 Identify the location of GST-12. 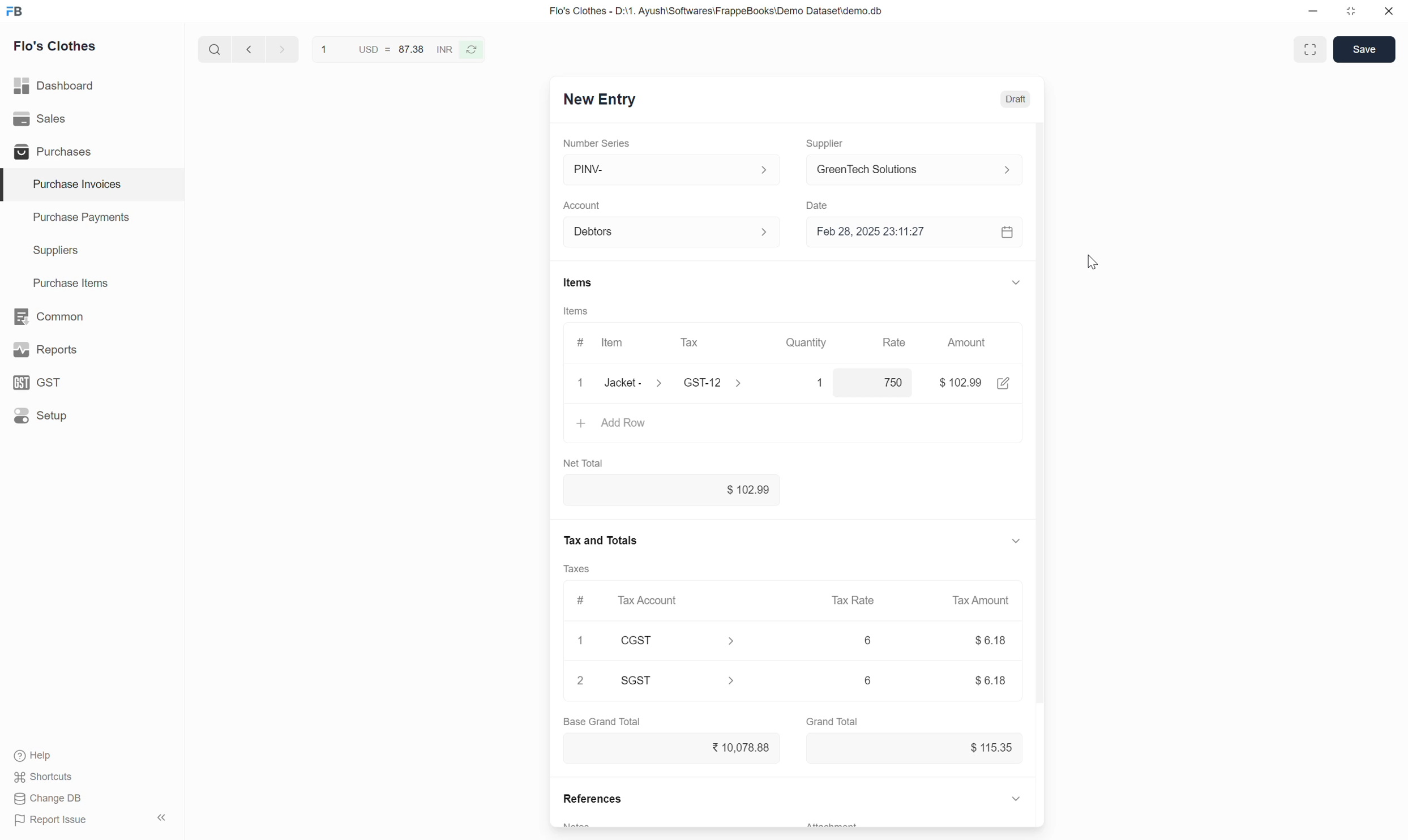
(716, 382).